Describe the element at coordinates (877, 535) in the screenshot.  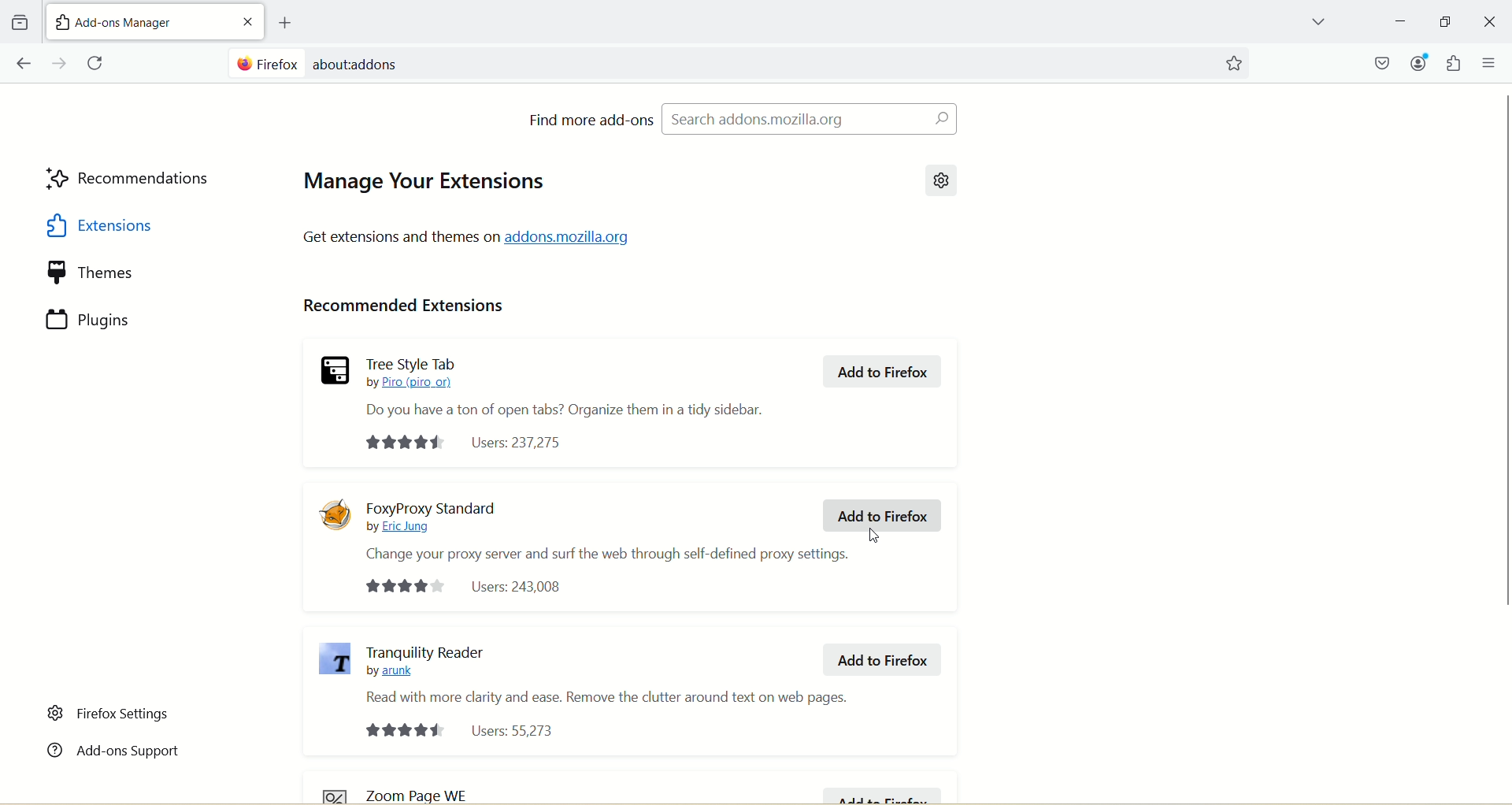
I see `cursor` at that location.